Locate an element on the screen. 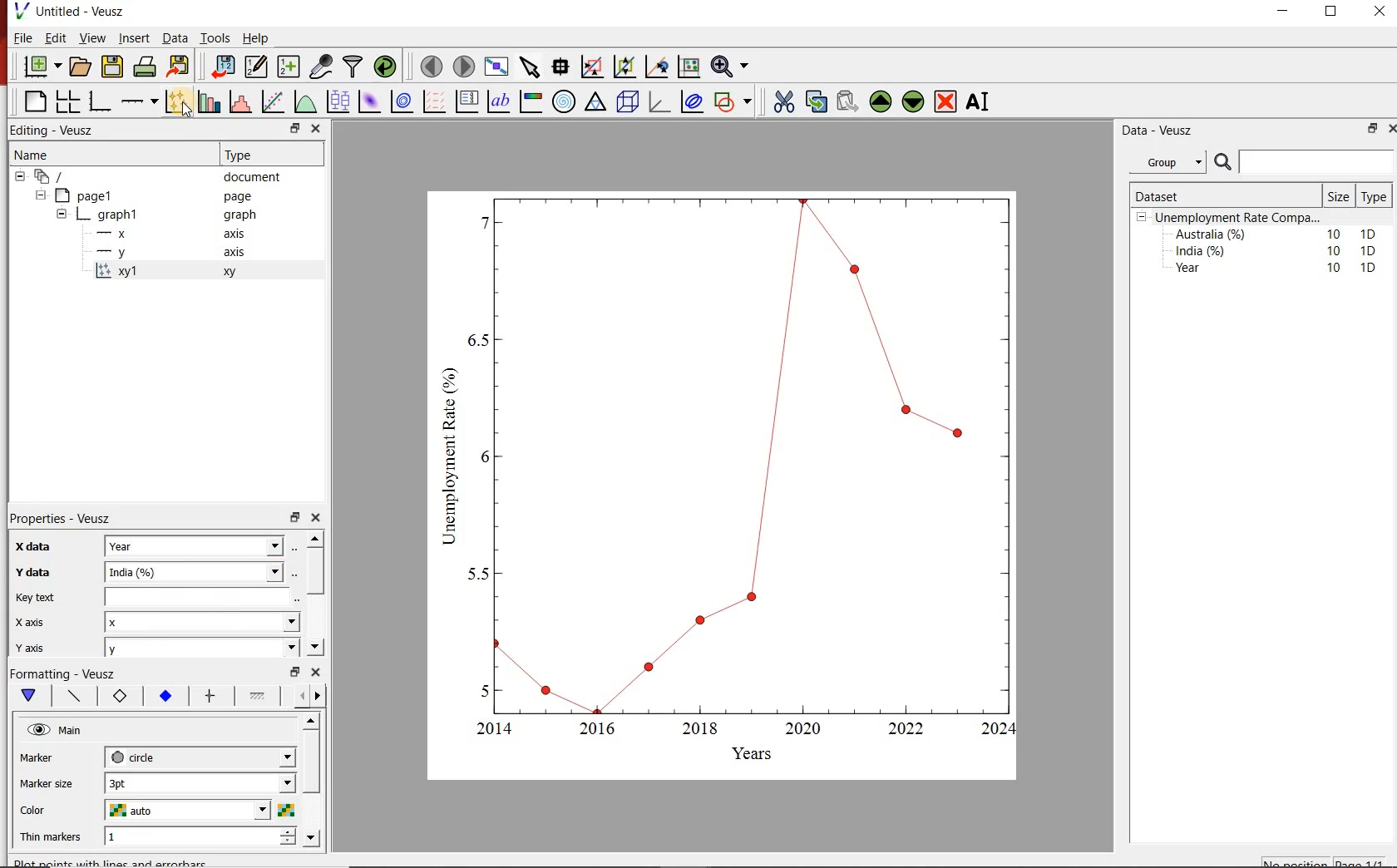 The image size is (1397, 868). scroll bar is located at coordinates (314, 569).